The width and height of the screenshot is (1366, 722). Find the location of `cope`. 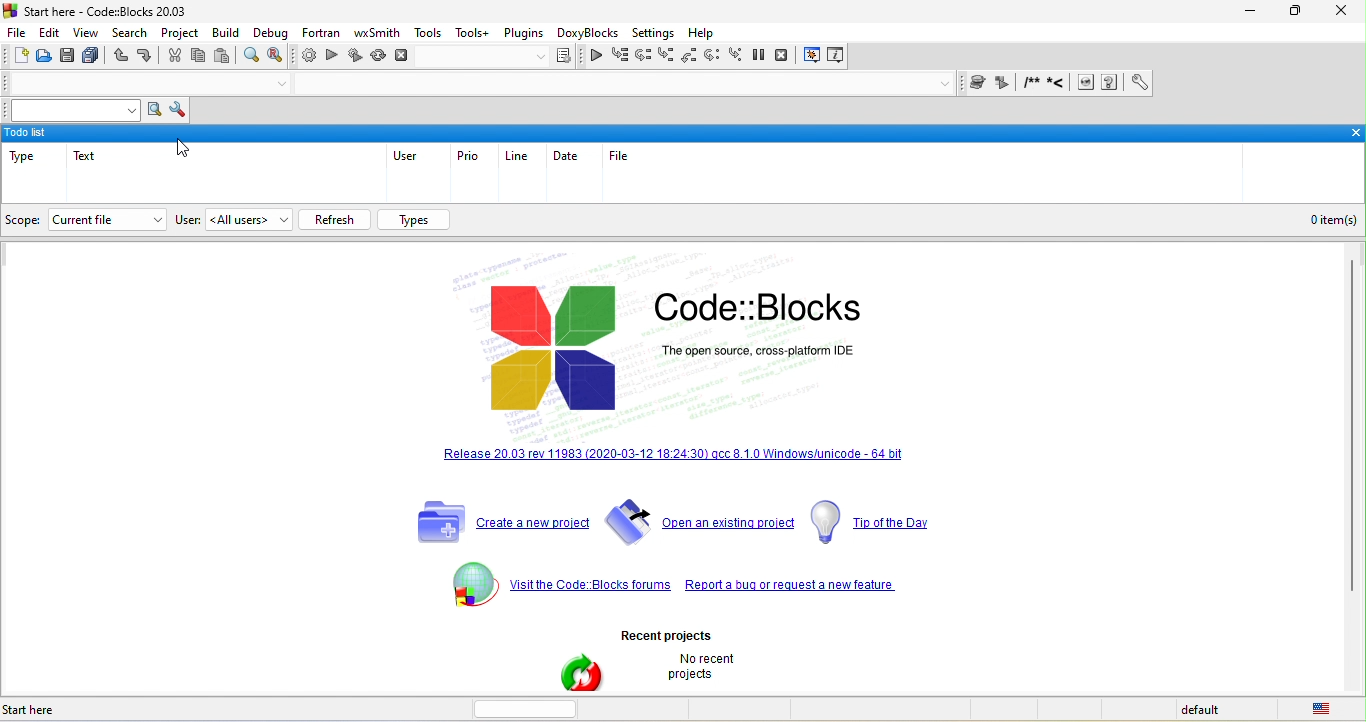

cope is located at coordinates (25, 219).